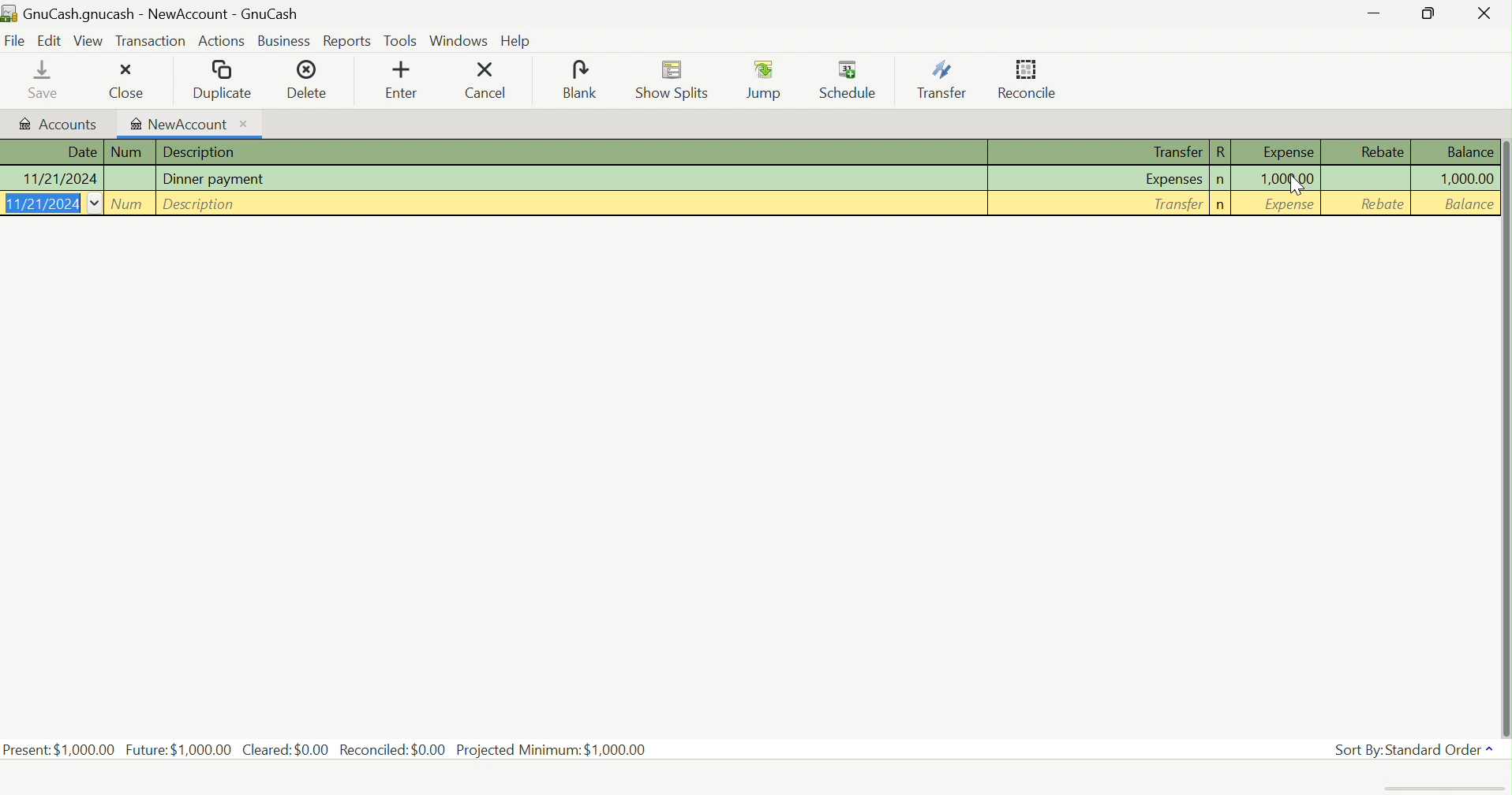 The image size is (1512, 795). What do you see at coordinates (1027, 79) in the screenshot?
I see `Reconcile` at bounding box center [1027, 79].